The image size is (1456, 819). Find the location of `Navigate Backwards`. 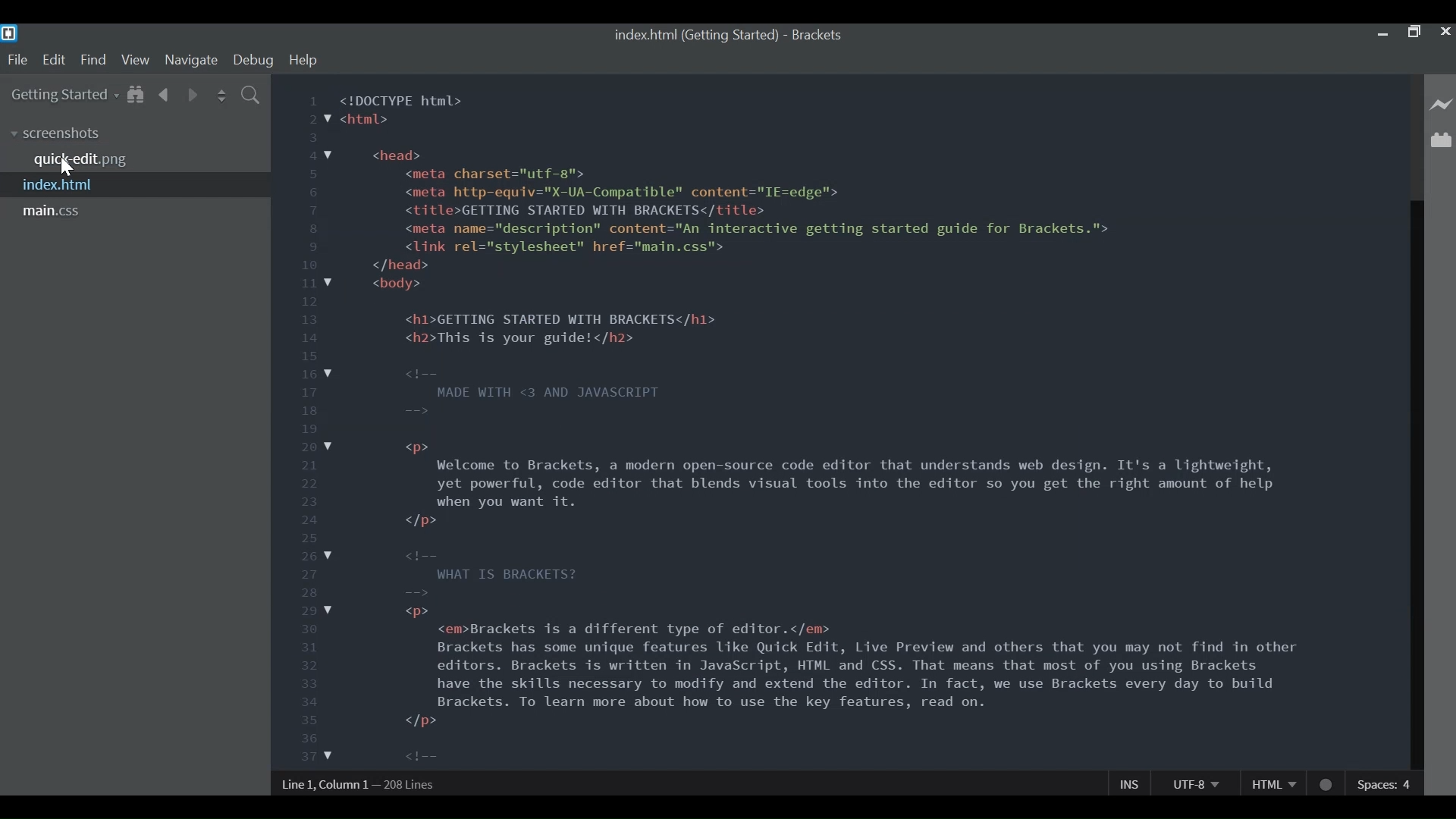

Navigate Backwards is located at coordinates (167, 94).